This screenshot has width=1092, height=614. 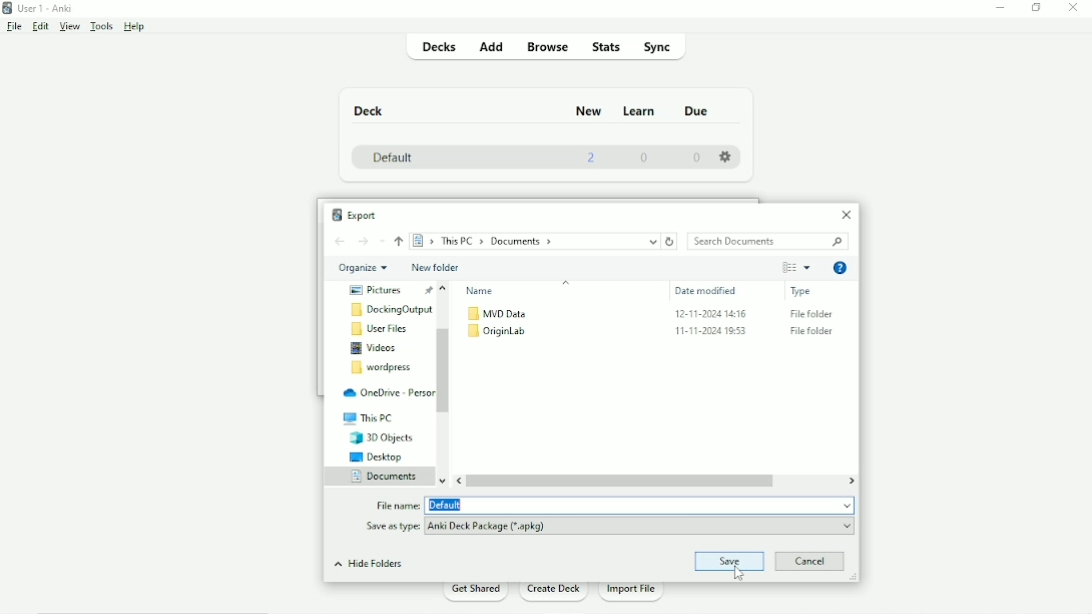 I want to click on 2, so click(x=591, y=159).